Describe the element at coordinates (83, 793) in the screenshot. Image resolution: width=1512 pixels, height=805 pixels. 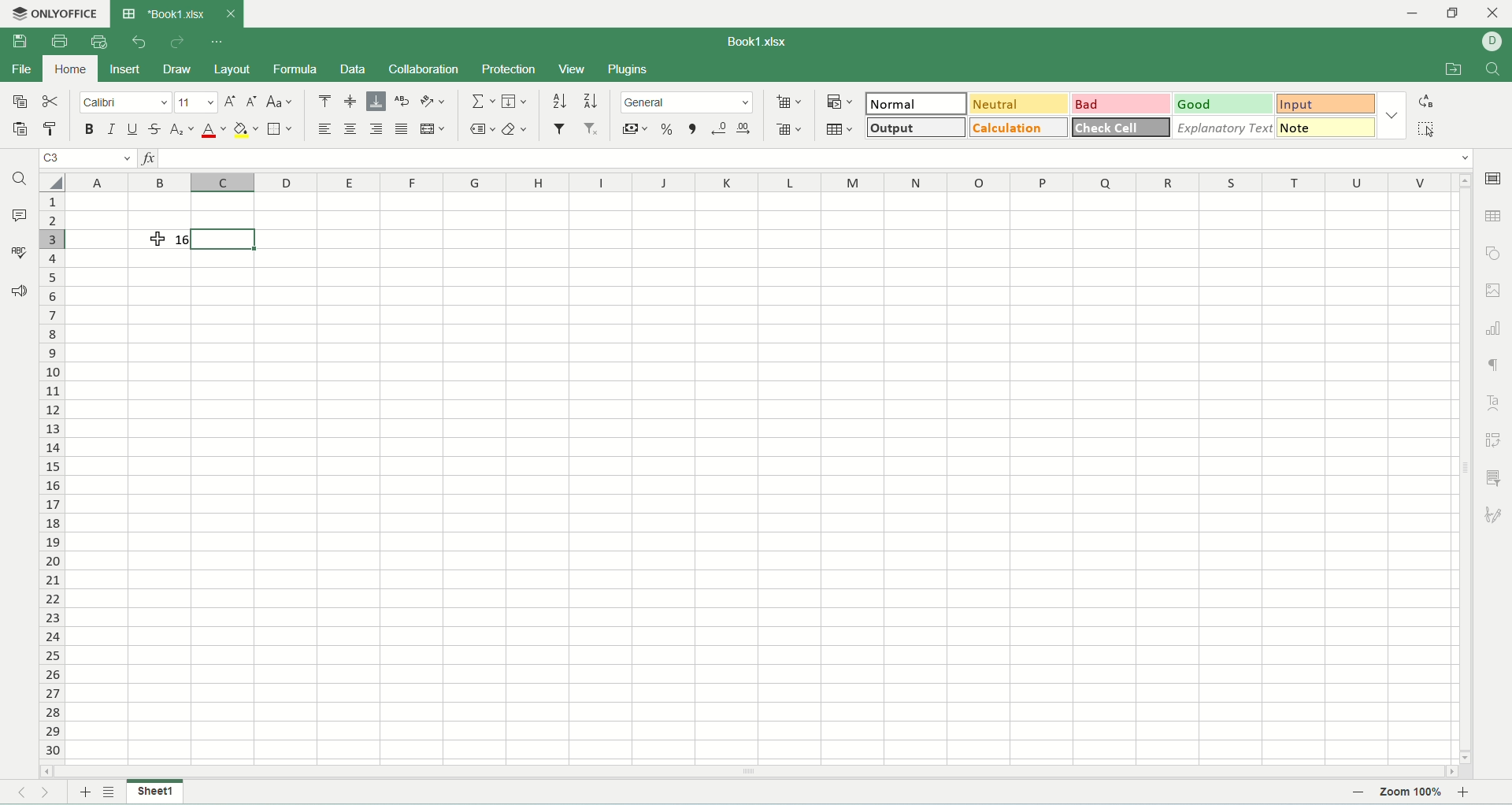
I see `new sheet` at that location.